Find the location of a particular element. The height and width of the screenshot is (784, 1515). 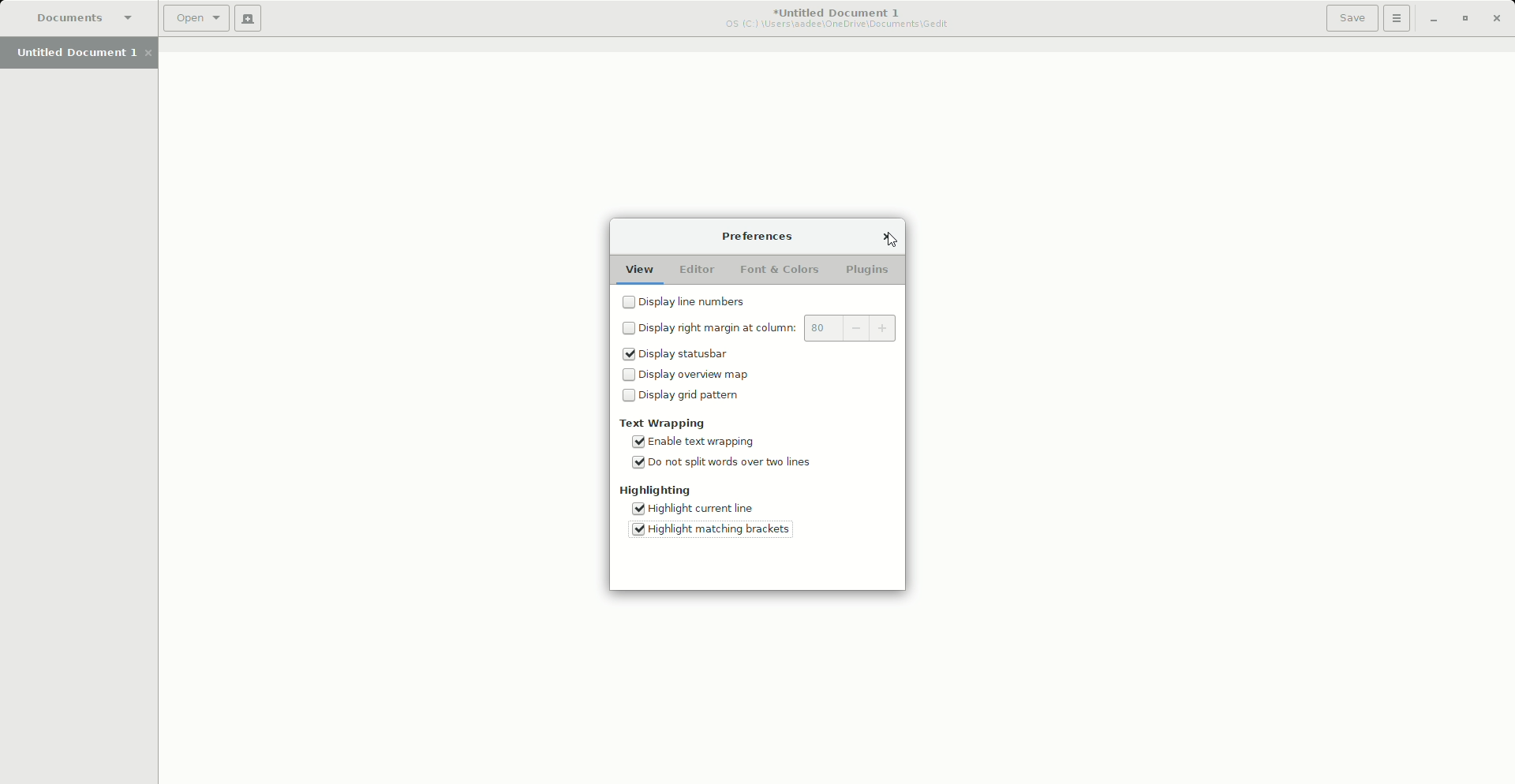

Enable text wrapping is located at coordinates (706, 443).